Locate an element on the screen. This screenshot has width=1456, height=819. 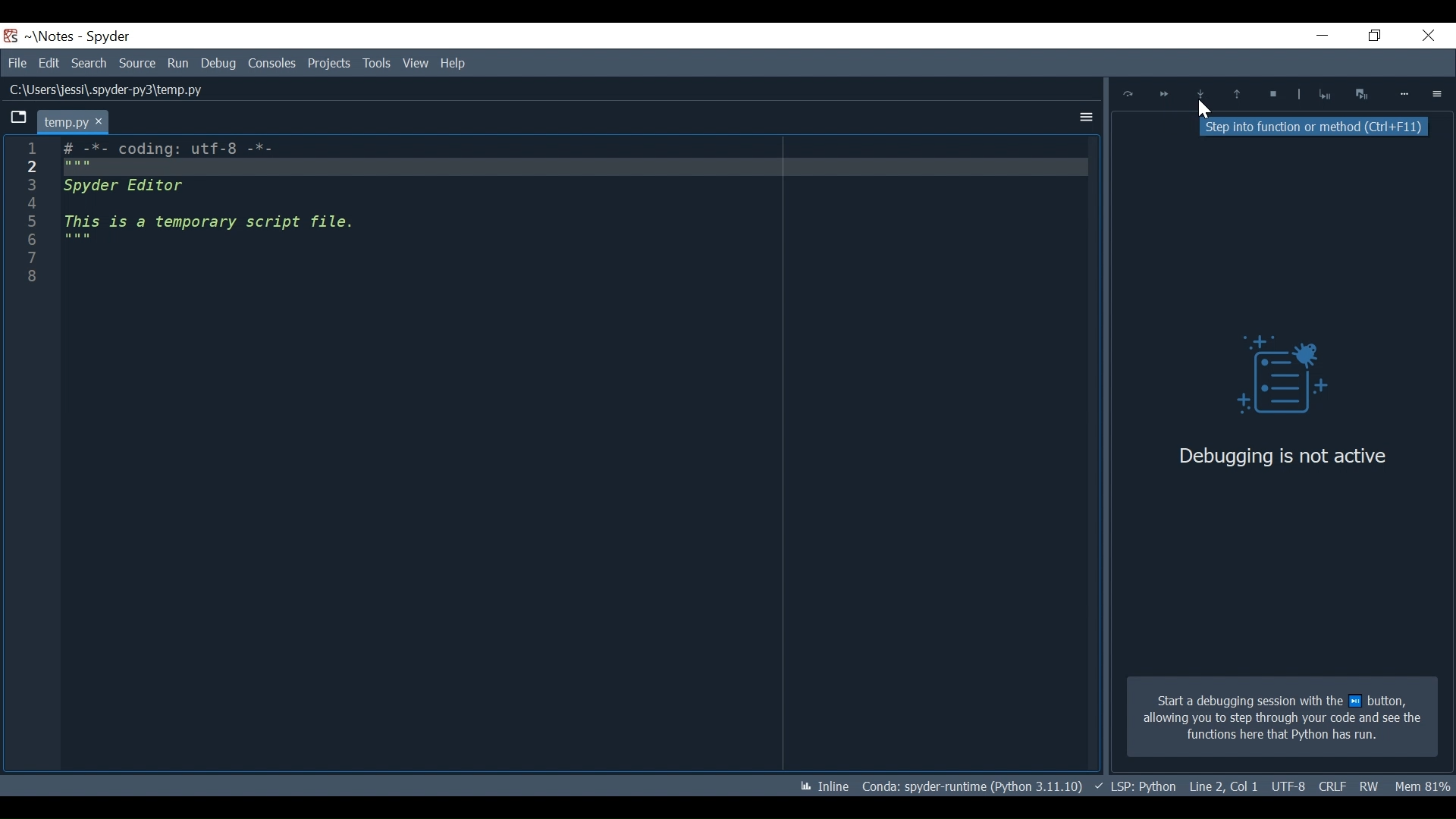
Current tab is located at coordinates (72, 121).